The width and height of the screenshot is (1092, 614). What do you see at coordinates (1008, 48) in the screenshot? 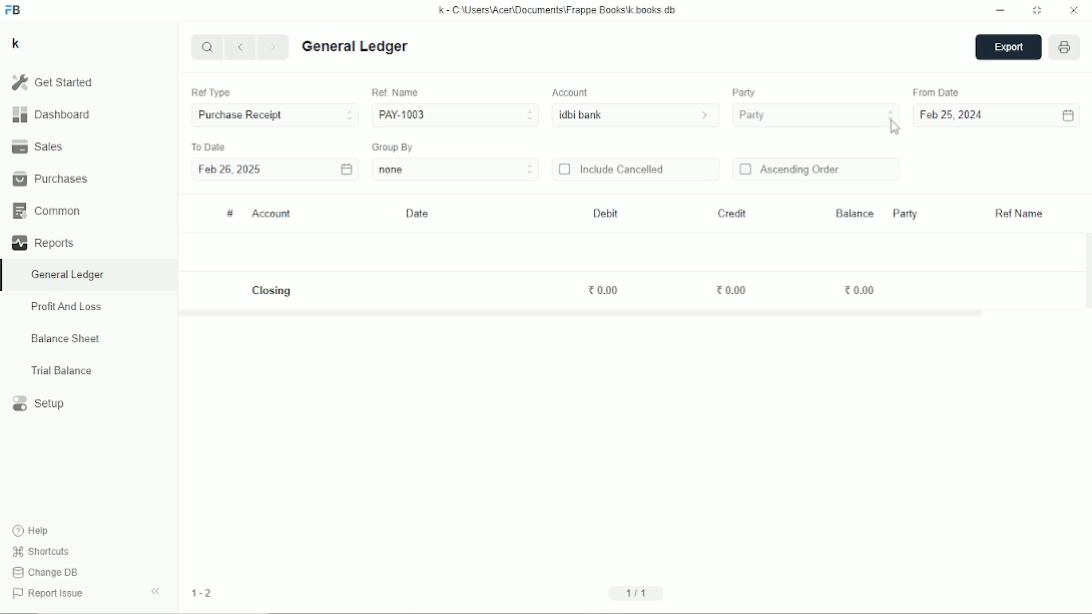
I see `Export` at bounding box center [1008, 48].